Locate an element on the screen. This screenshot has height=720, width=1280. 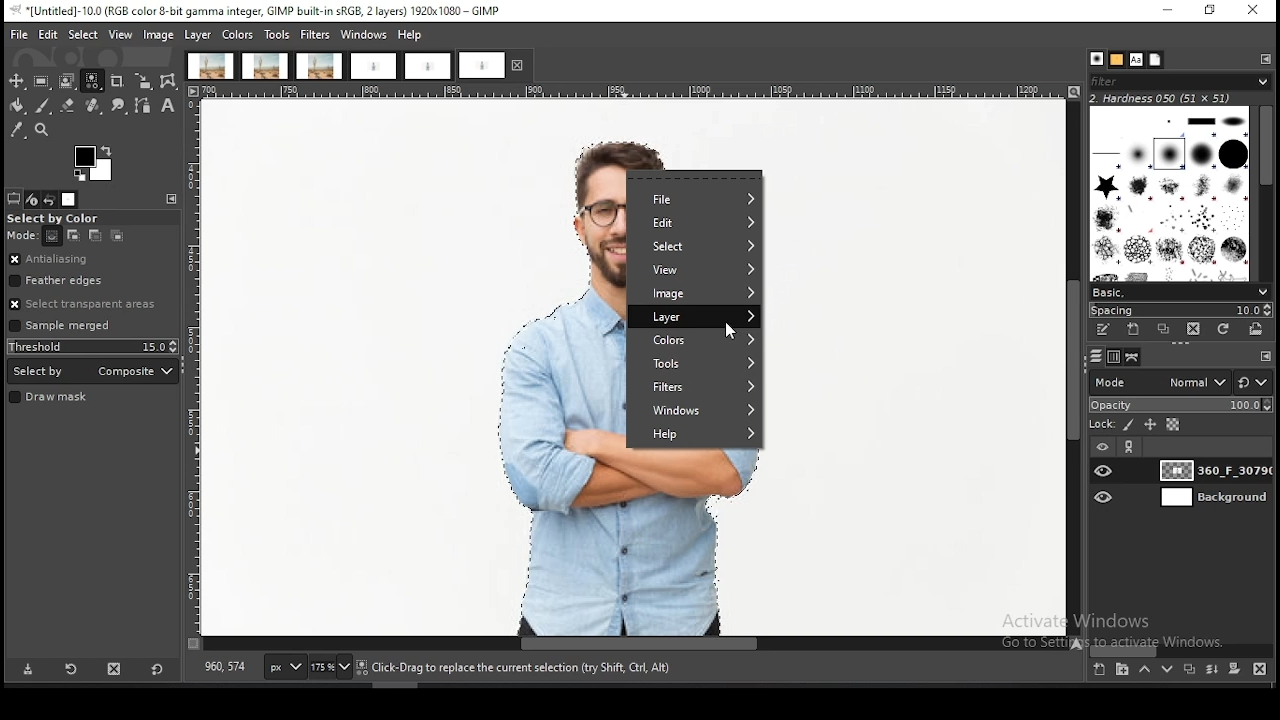
select by color is located at coordinates (59, 219).